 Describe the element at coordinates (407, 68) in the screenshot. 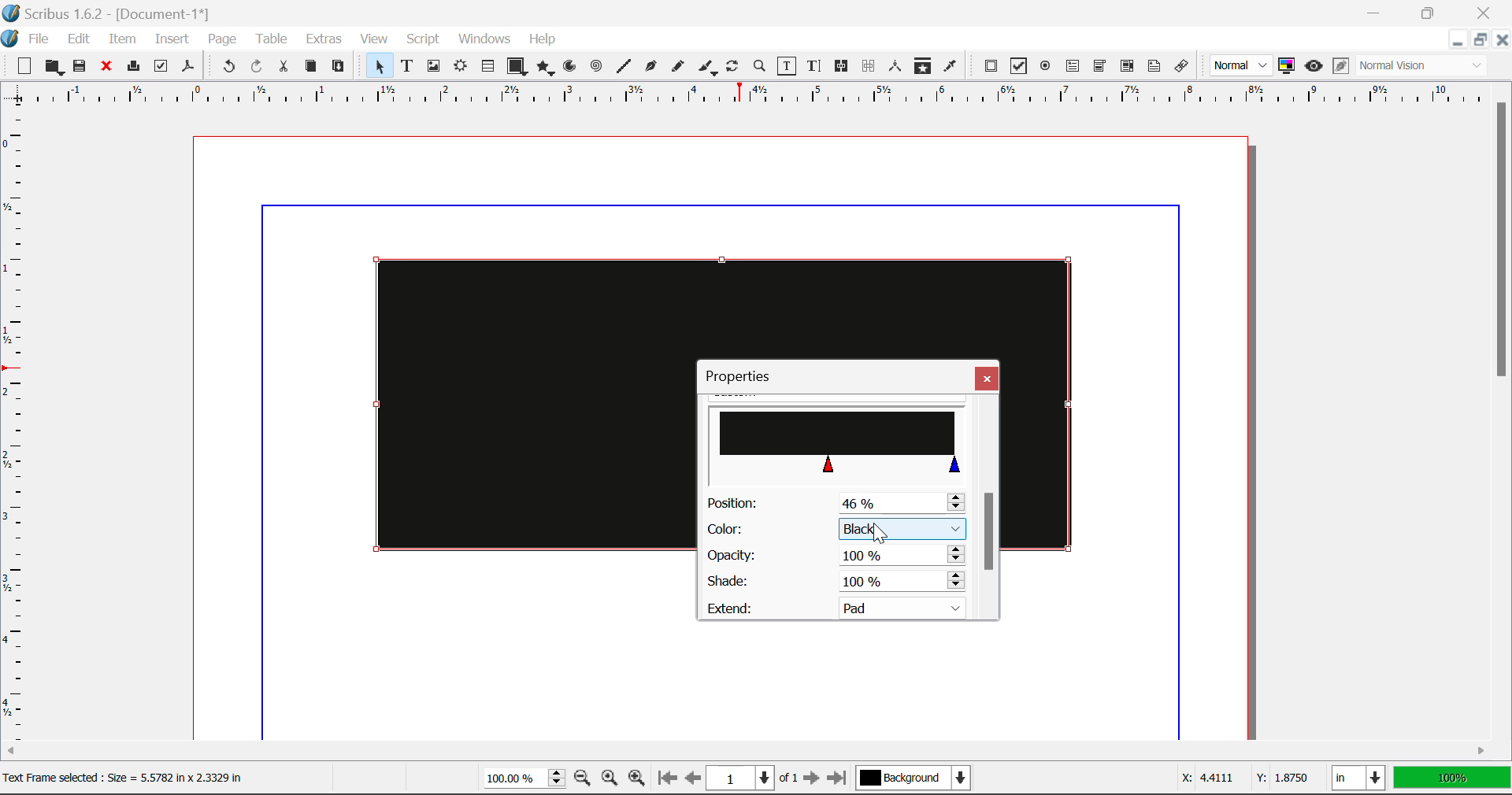

I see `Text Frames` at that location.